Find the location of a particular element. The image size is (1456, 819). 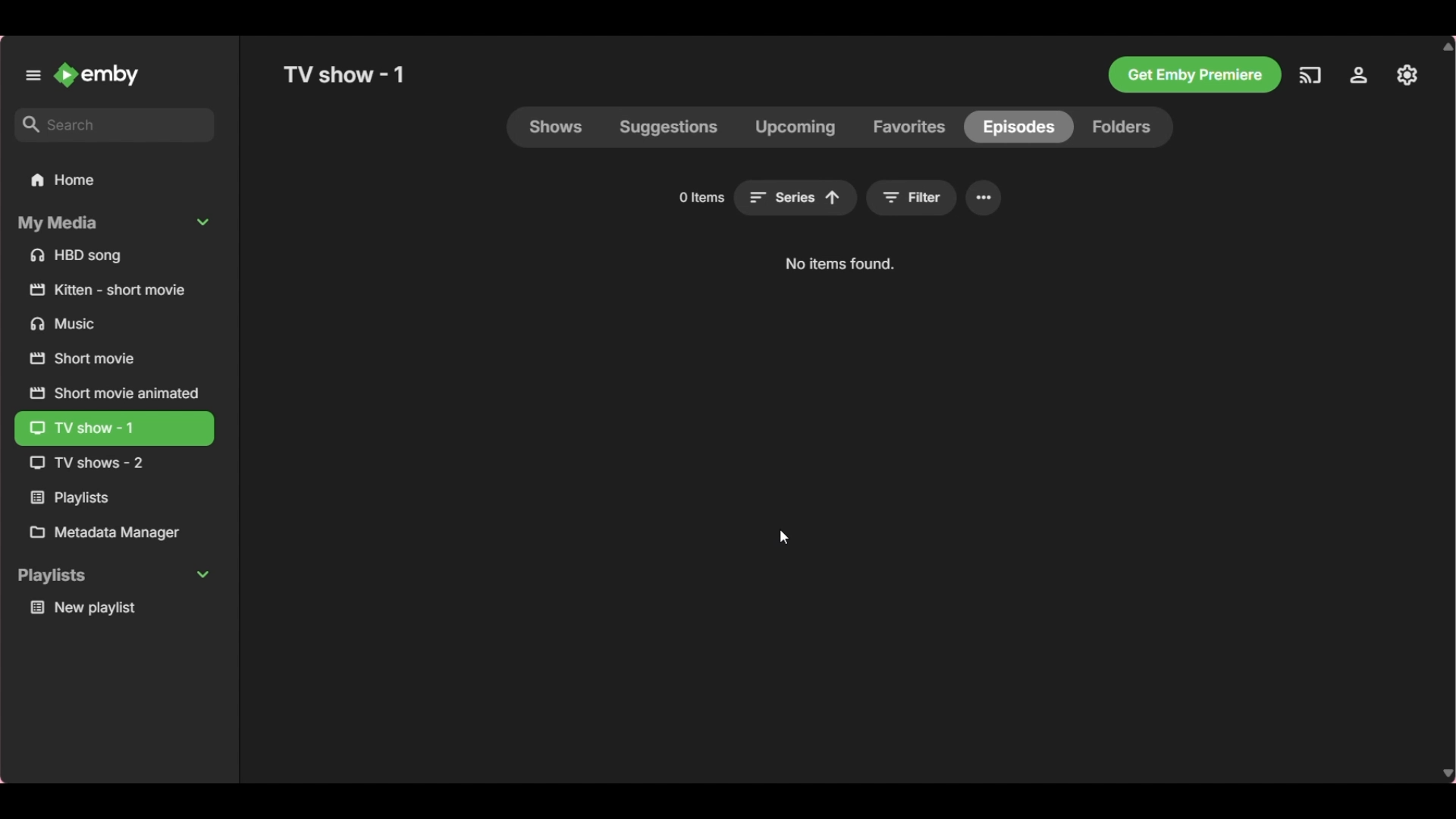

Title of current page is located at coordinates (344, 74).